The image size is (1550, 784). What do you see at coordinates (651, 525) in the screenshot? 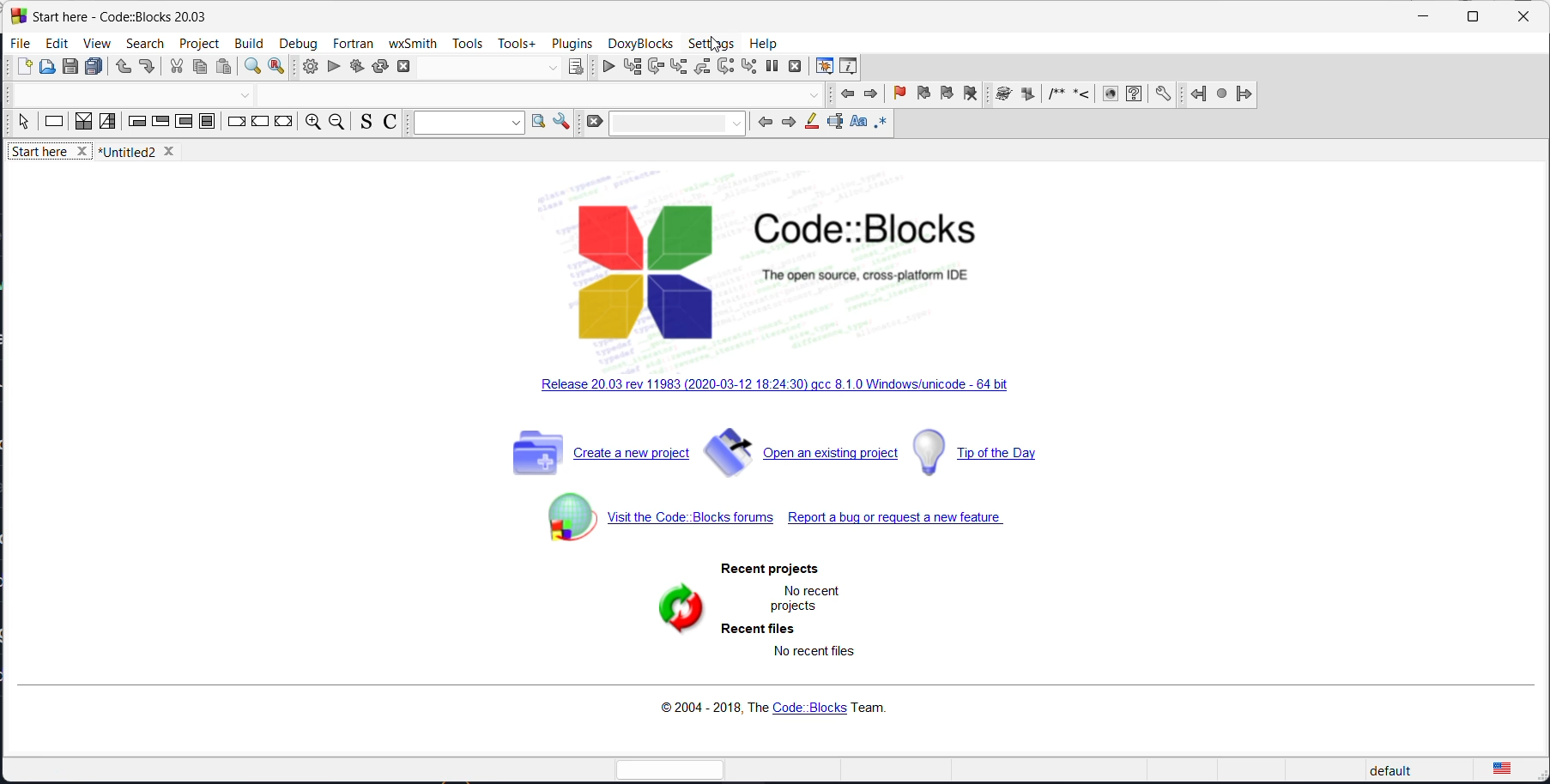
I see `forum` at bounding box center [651, 525].